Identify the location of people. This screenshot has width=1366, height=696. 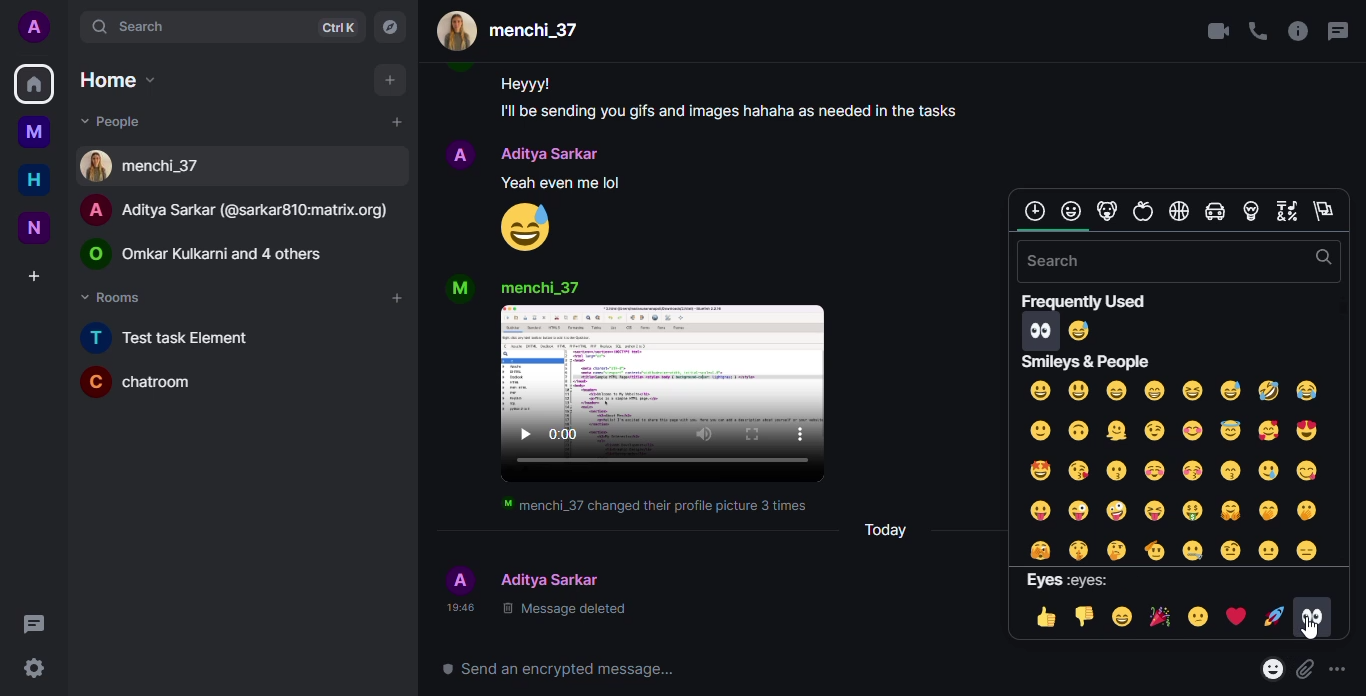
(514, 31).